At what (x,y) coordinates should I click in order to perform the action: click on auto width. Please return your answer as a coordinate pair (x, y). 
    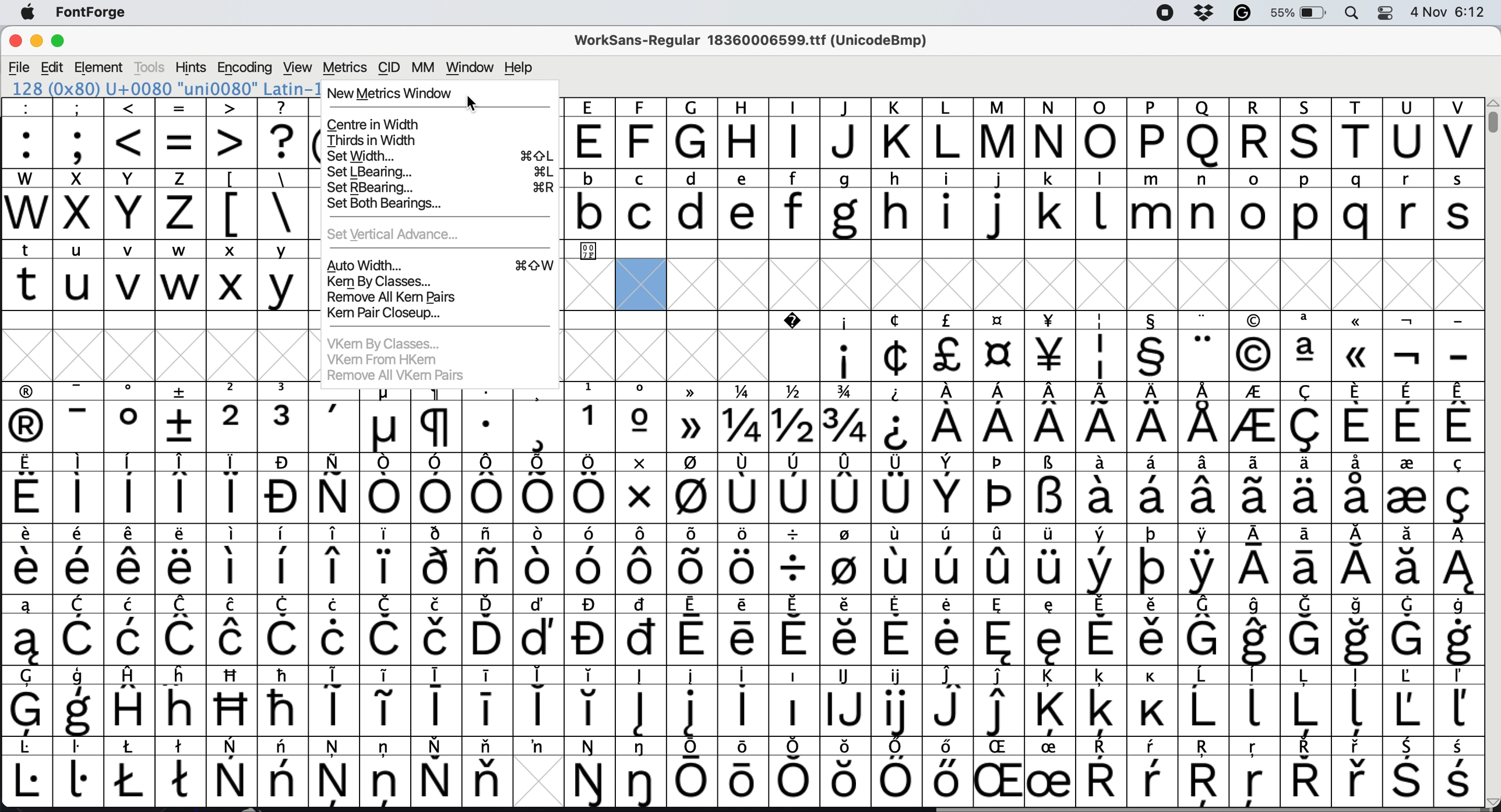
    Looking at the image, I should click on (442, 264).